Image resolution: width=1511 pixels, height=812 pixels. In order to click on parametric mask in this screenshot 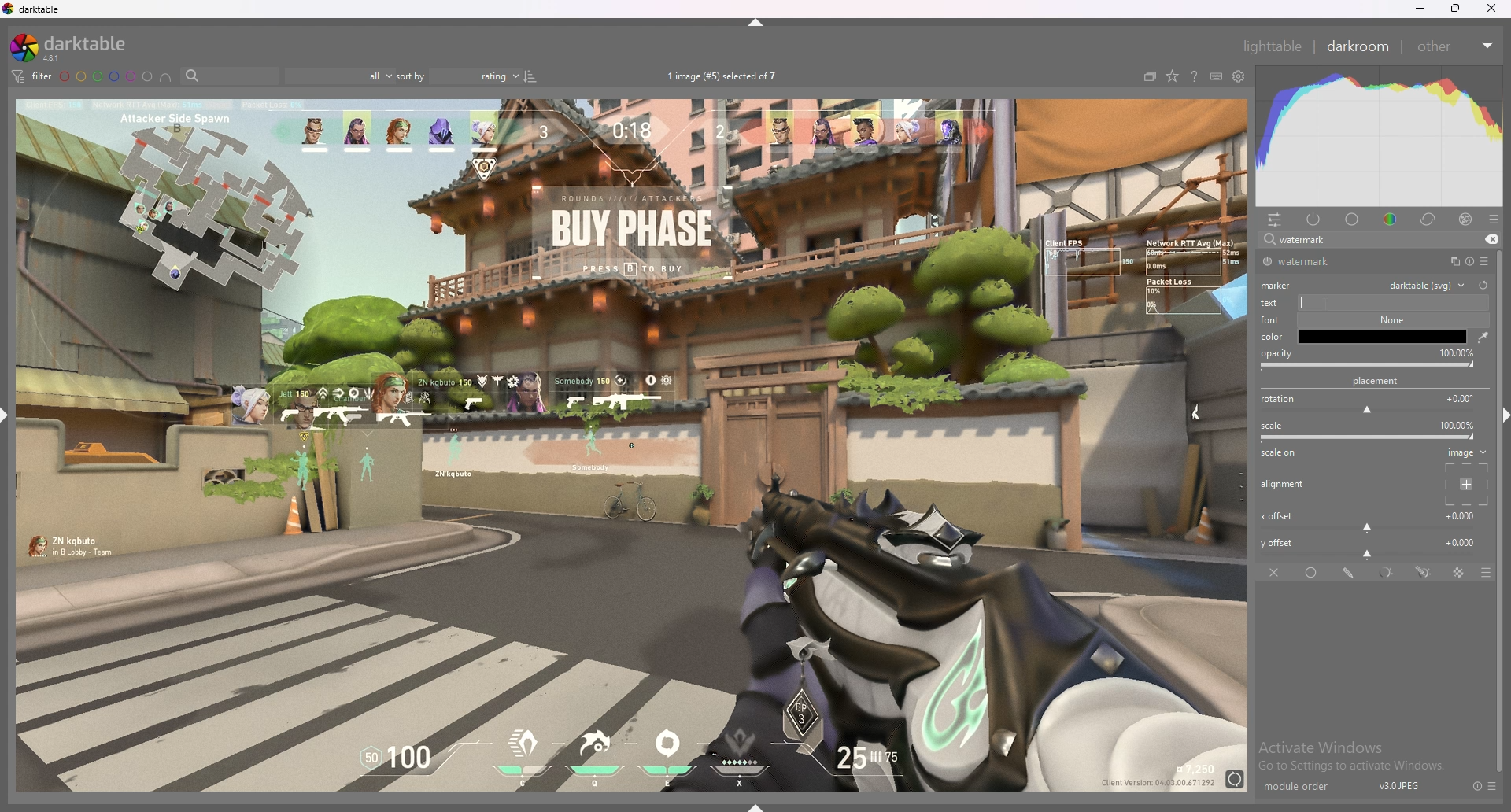, I will do `click(1388, 573)`.